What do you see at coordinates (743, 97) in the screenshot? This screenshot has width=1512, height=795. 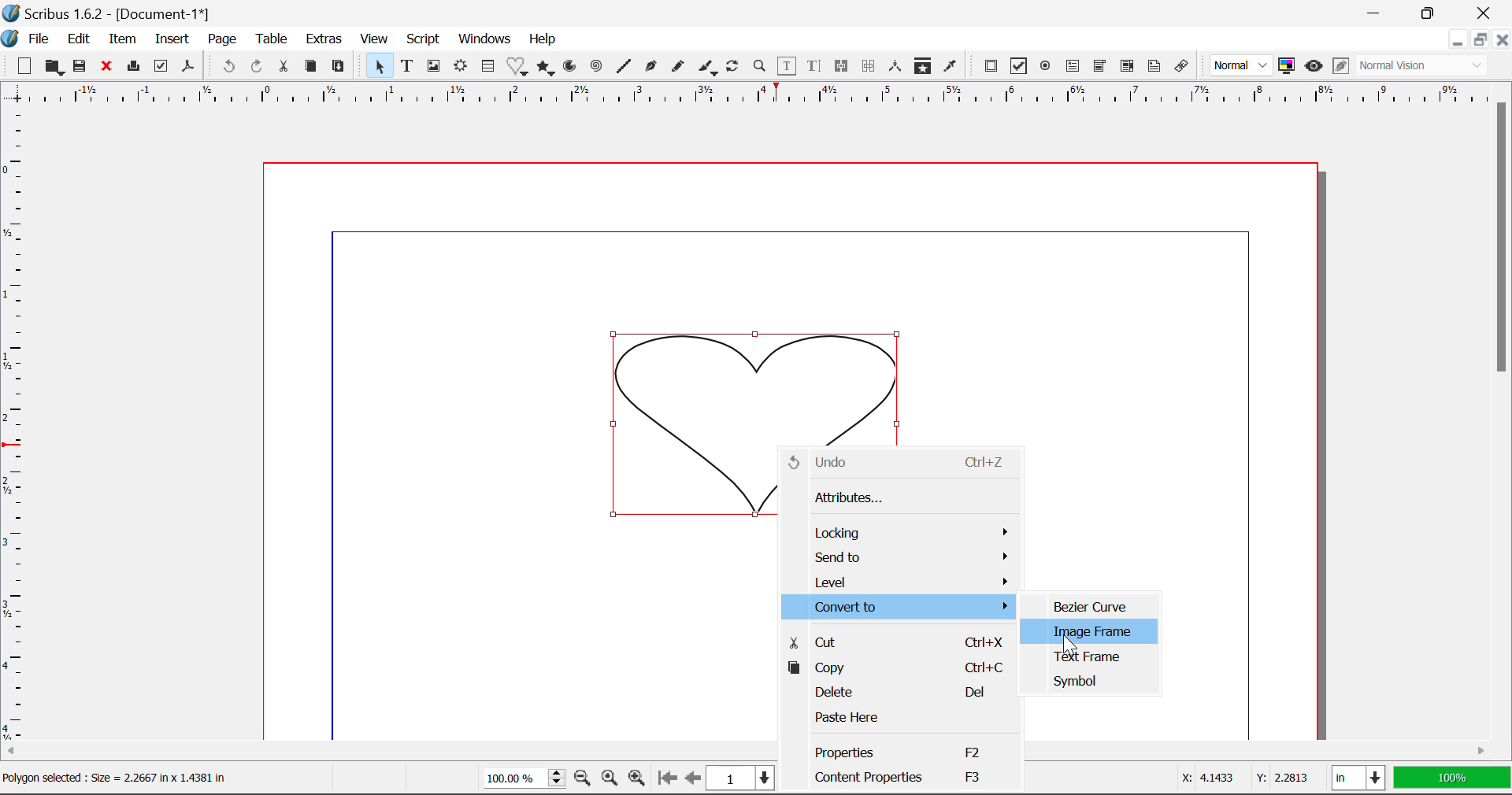 I see `Vertical Page Margins` at bounding box center [743, 97].